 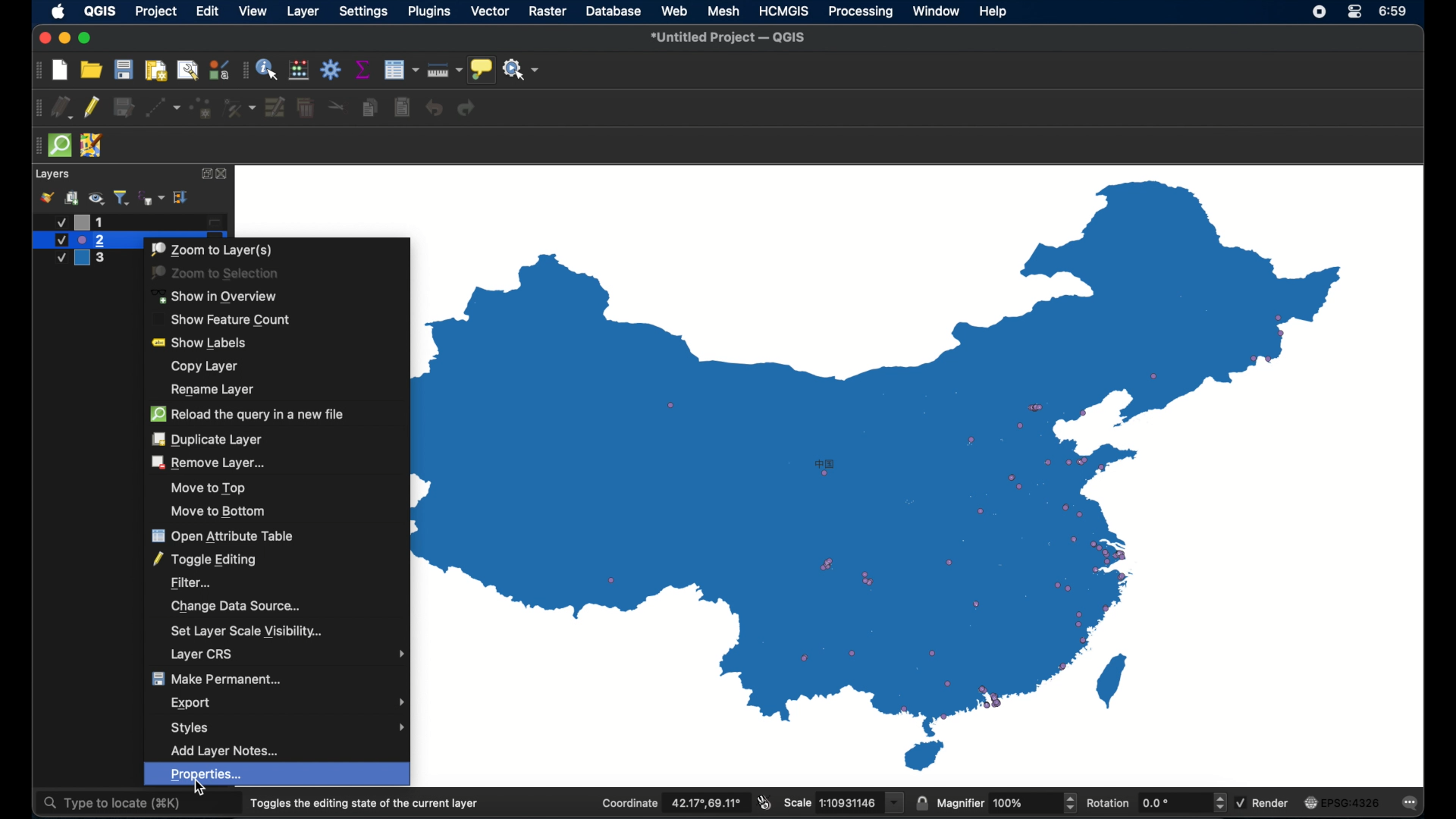 I want to click on cursor, so click(x=206, y=792).